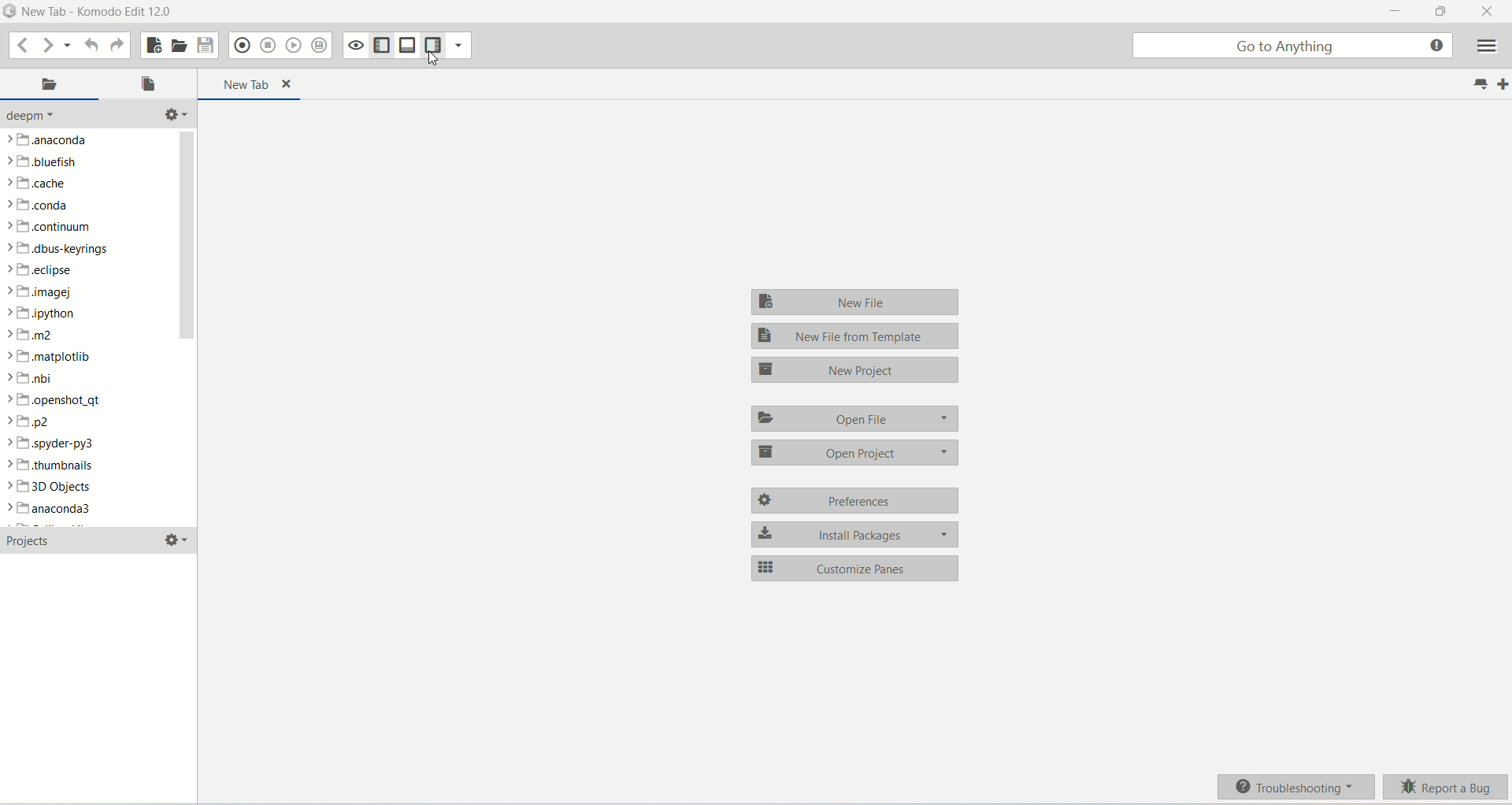 The height and width of the screenshot is (805, 1512). What do you see at coordinates (60, 401) in the screenshot?
I see `openshot` at bounding box center [60, 401].